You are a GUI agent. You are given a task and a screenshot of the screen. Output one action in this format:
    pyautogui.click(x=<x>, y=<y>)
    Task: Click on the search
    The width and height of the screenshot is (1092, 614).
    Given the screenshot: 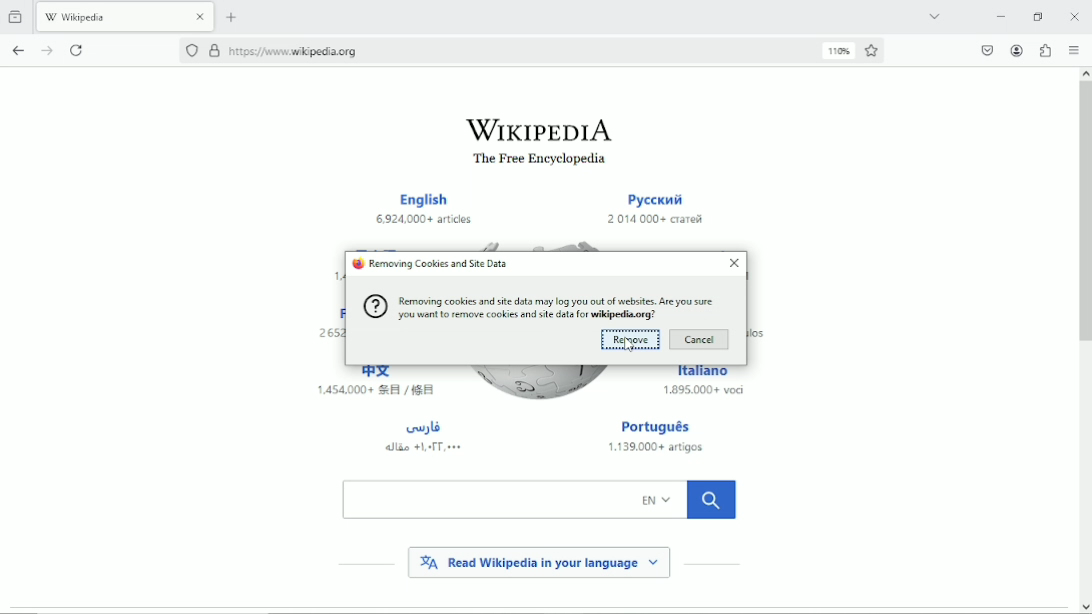 What is the action you would take?
    pyautogui.click(x=539, y=499)
    